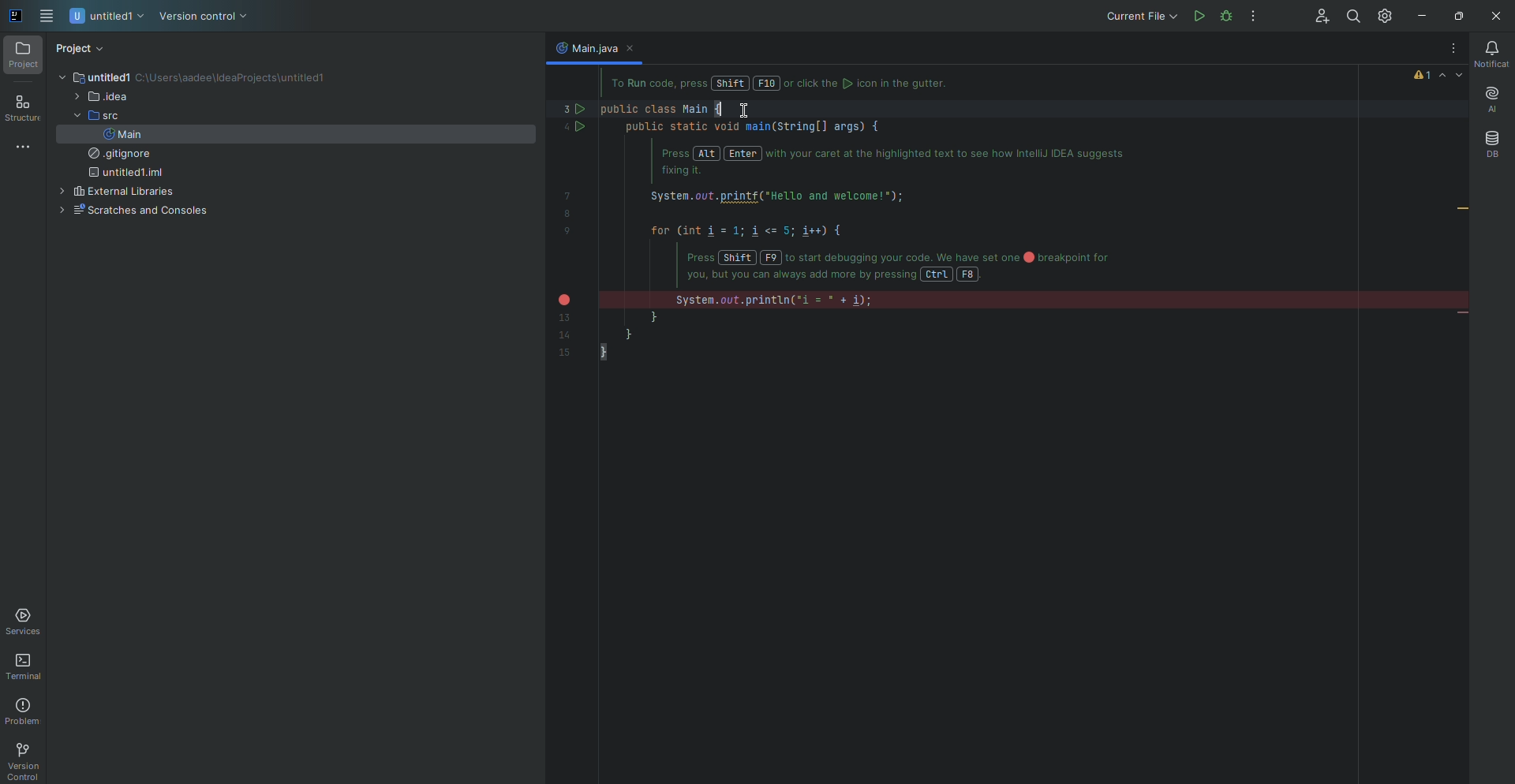 Image resolution: width=1515 pixels, height=784 pixels. What do you see at coordinates (25, 711) in the screenshot?
I see `Problems` at bounding box center [25, 711].